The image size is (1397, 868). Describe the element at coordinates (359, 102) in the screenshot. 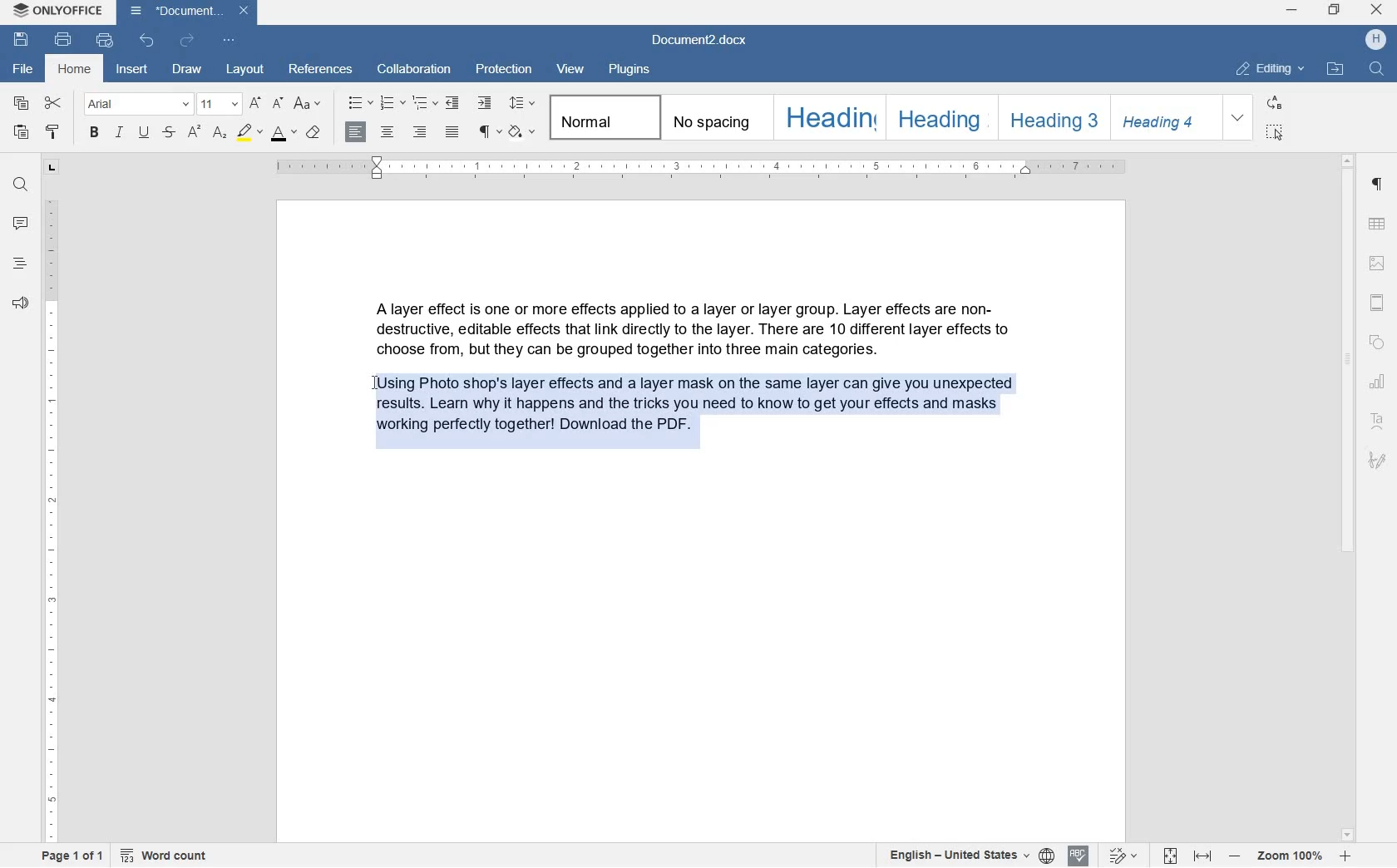

I see `BULLETS` at that location.